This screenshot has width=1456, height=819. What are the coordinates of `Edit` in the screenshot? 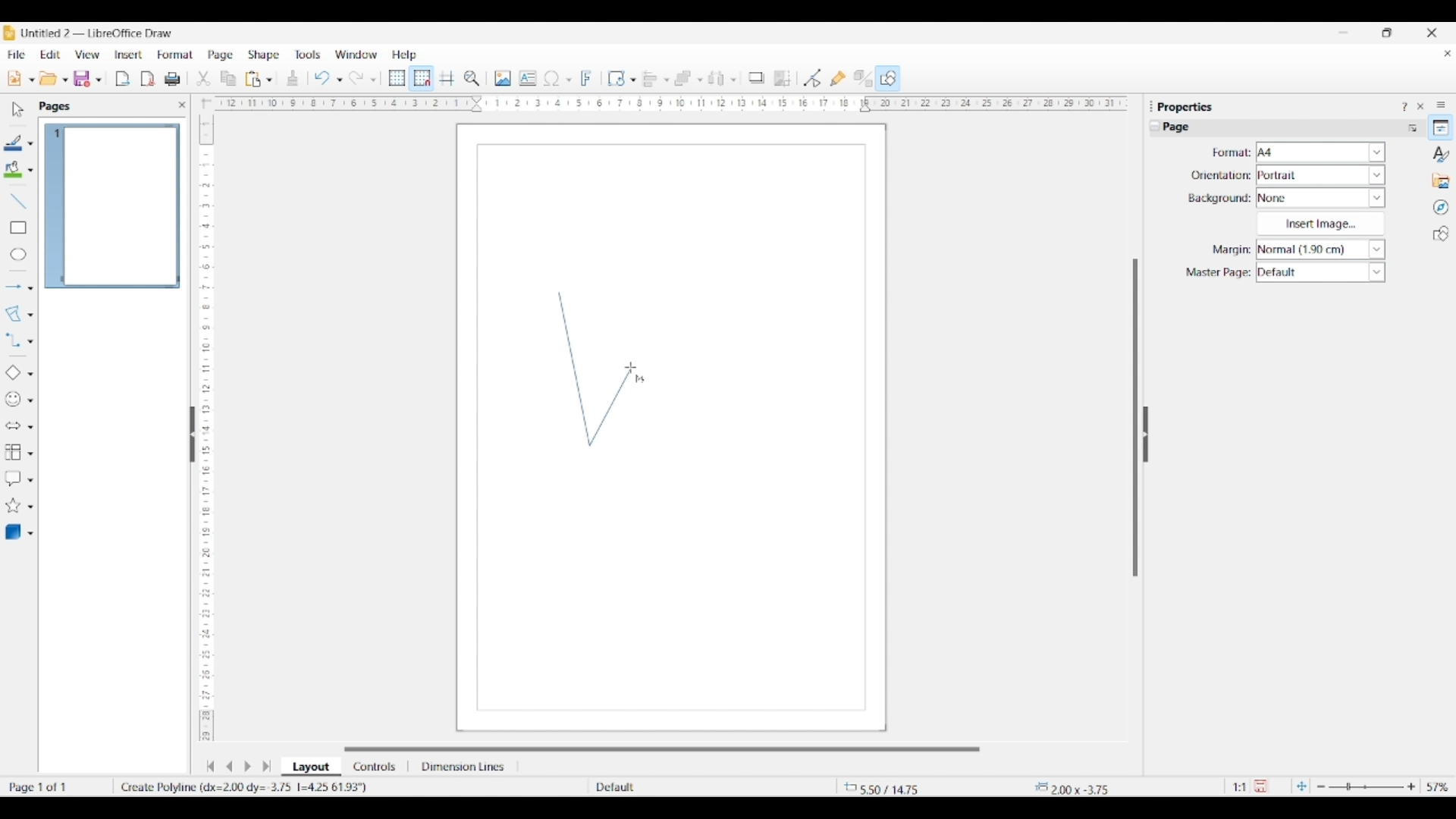 It's located at (50, 55).